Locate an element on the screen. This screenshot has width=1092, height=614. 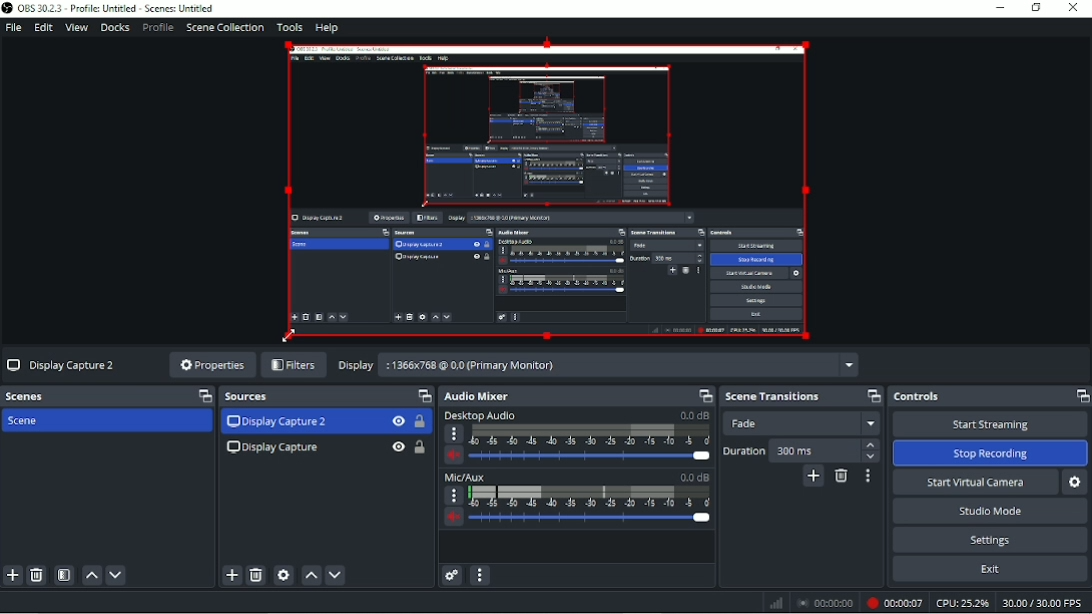
Sources is located at coordinates (253, 398).